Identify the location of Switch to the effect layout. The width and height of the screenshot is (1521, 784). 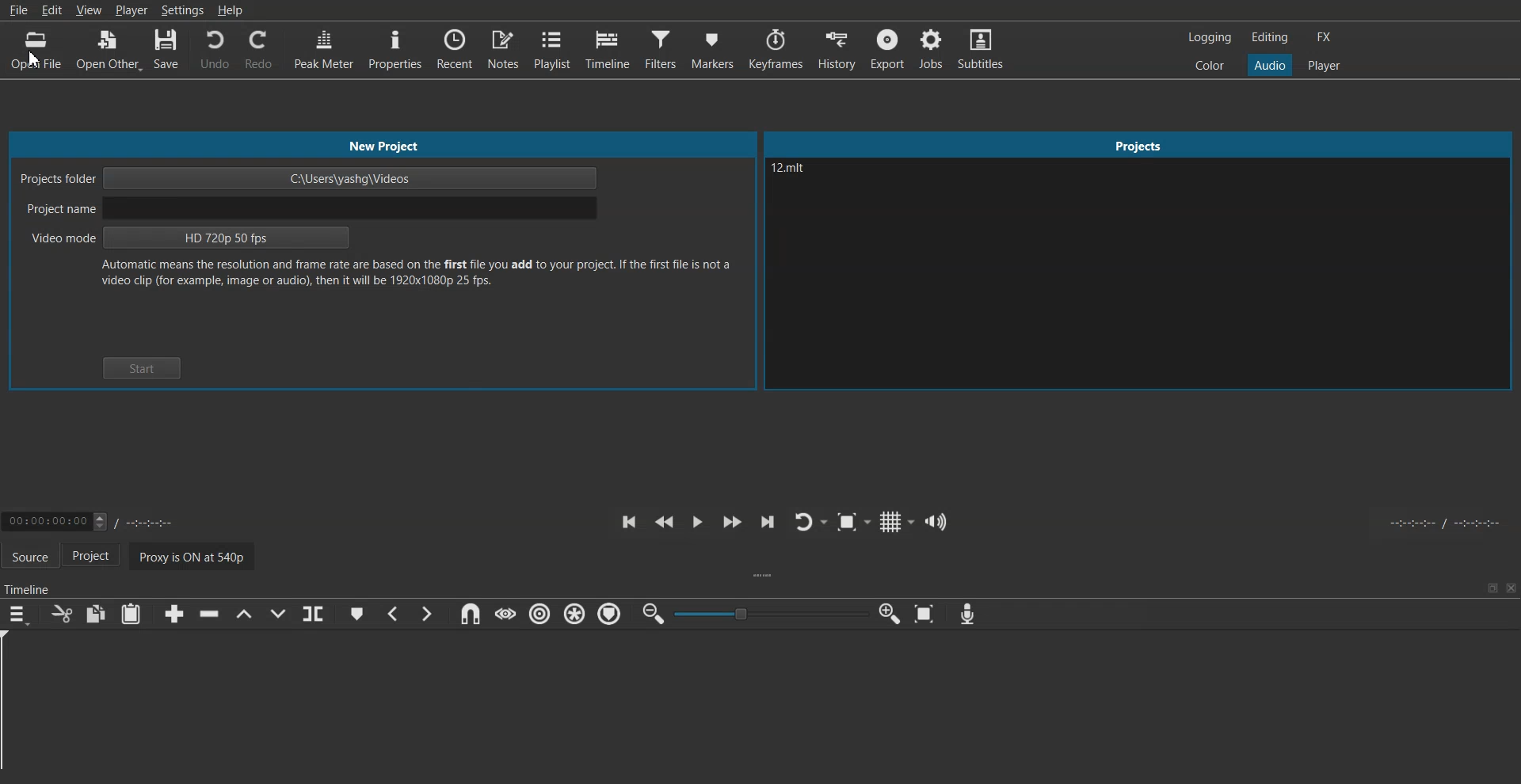
(1328, 37).